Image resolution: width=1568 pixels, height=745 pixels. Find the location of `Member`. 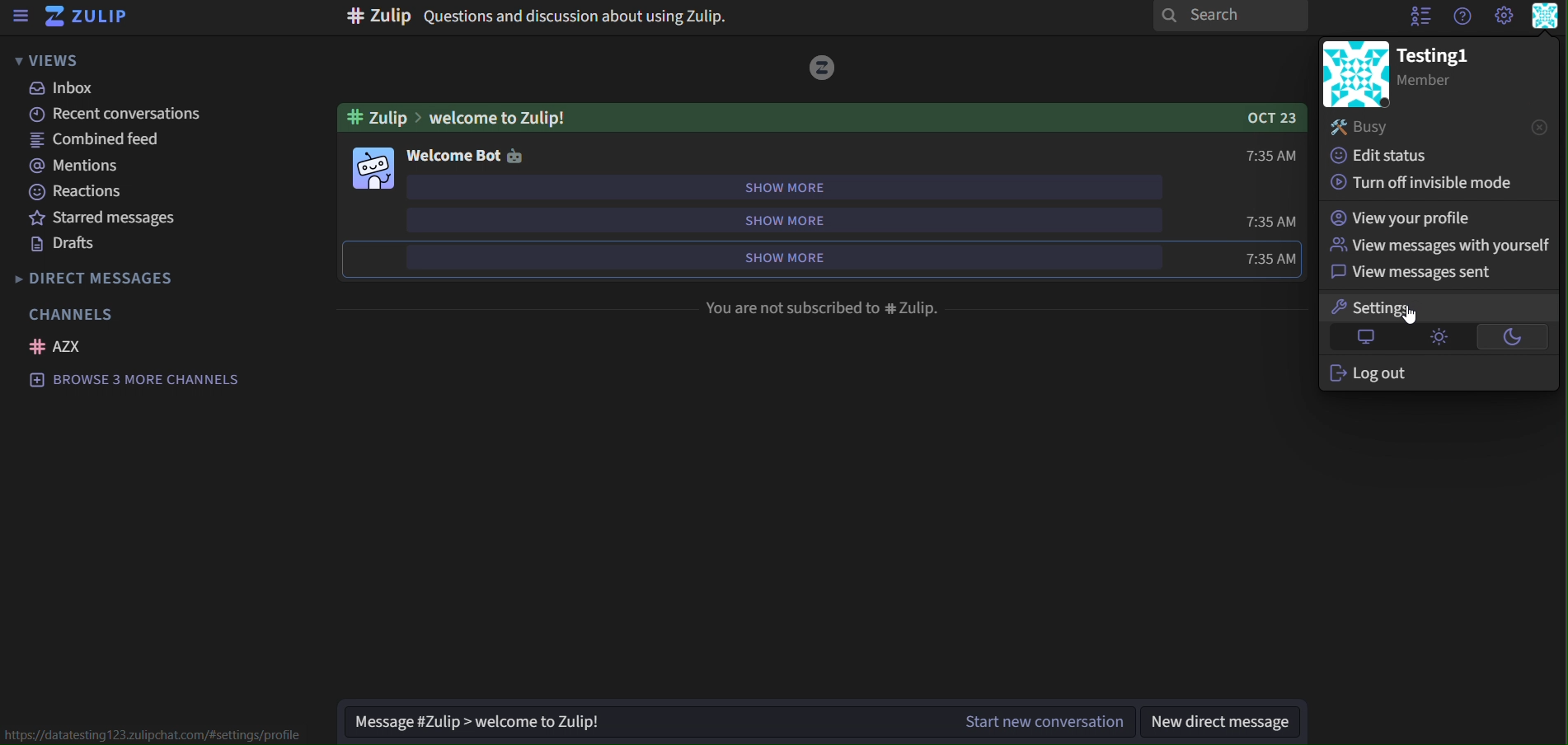

Member is located at coordinates (1439, 82).